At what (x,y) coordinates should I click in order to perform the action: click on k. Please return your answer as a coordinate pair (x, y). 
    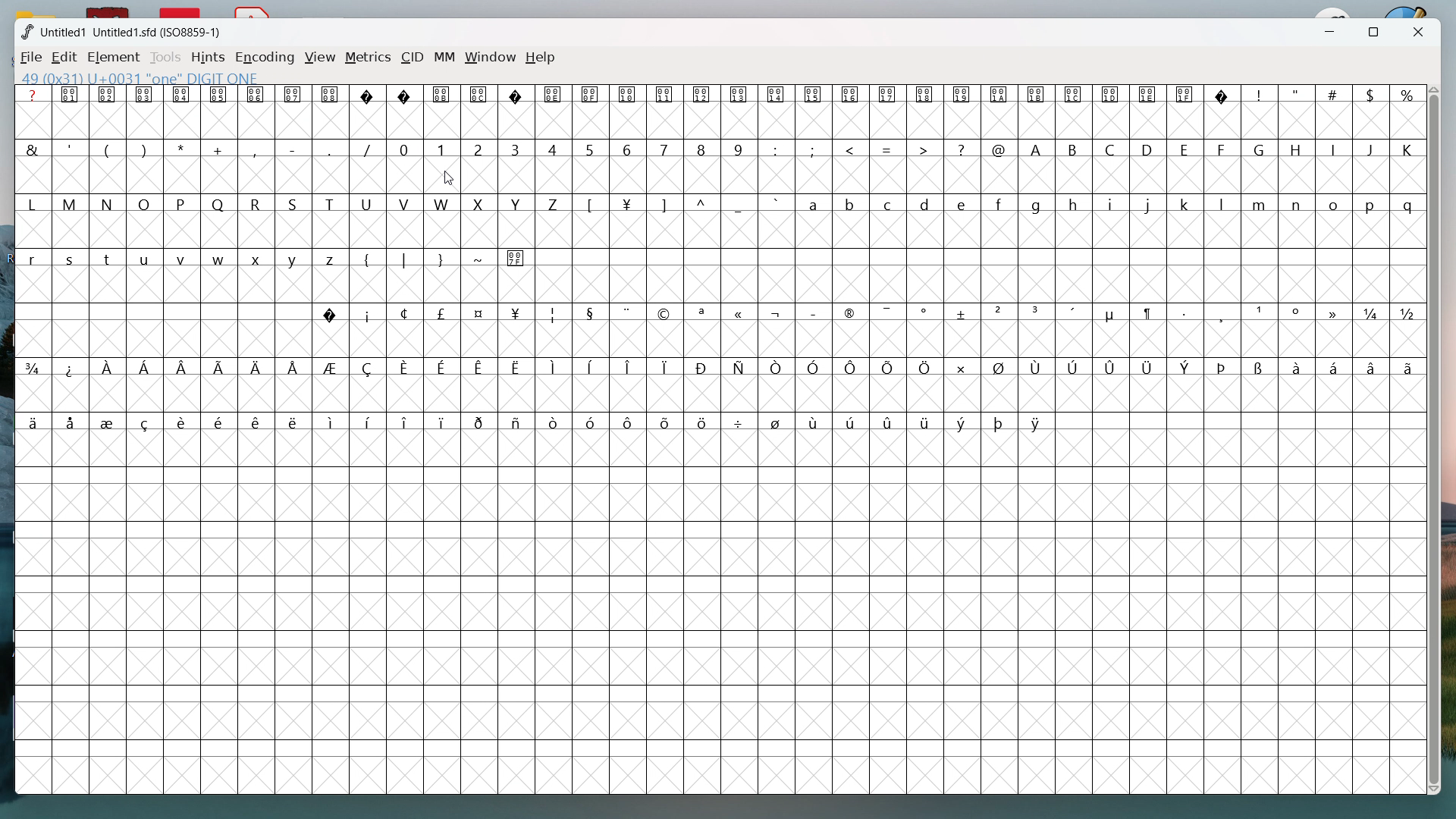
    Looking at the image, I should click on (1187, 203).